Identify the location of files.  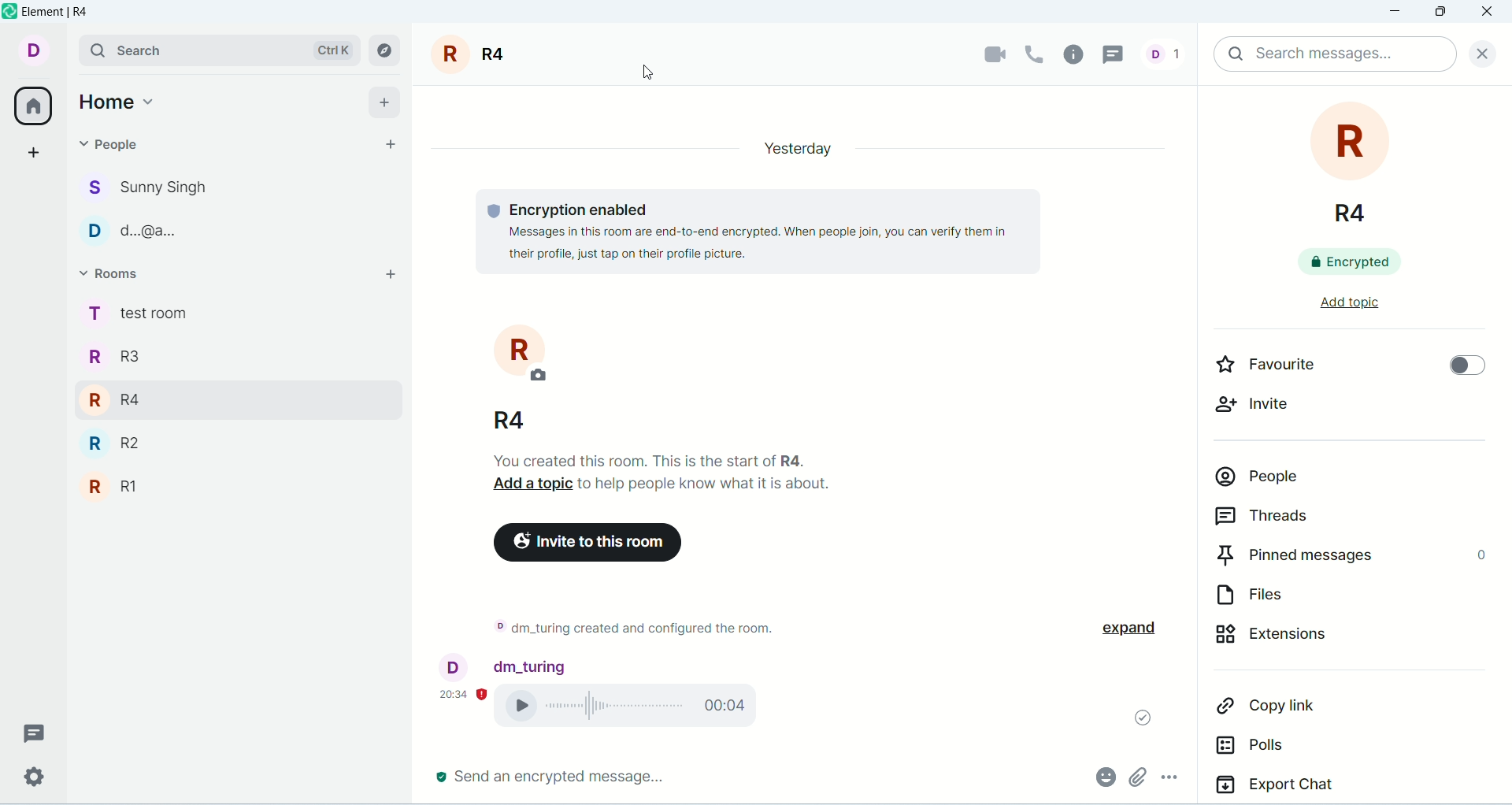
(1313, 599).